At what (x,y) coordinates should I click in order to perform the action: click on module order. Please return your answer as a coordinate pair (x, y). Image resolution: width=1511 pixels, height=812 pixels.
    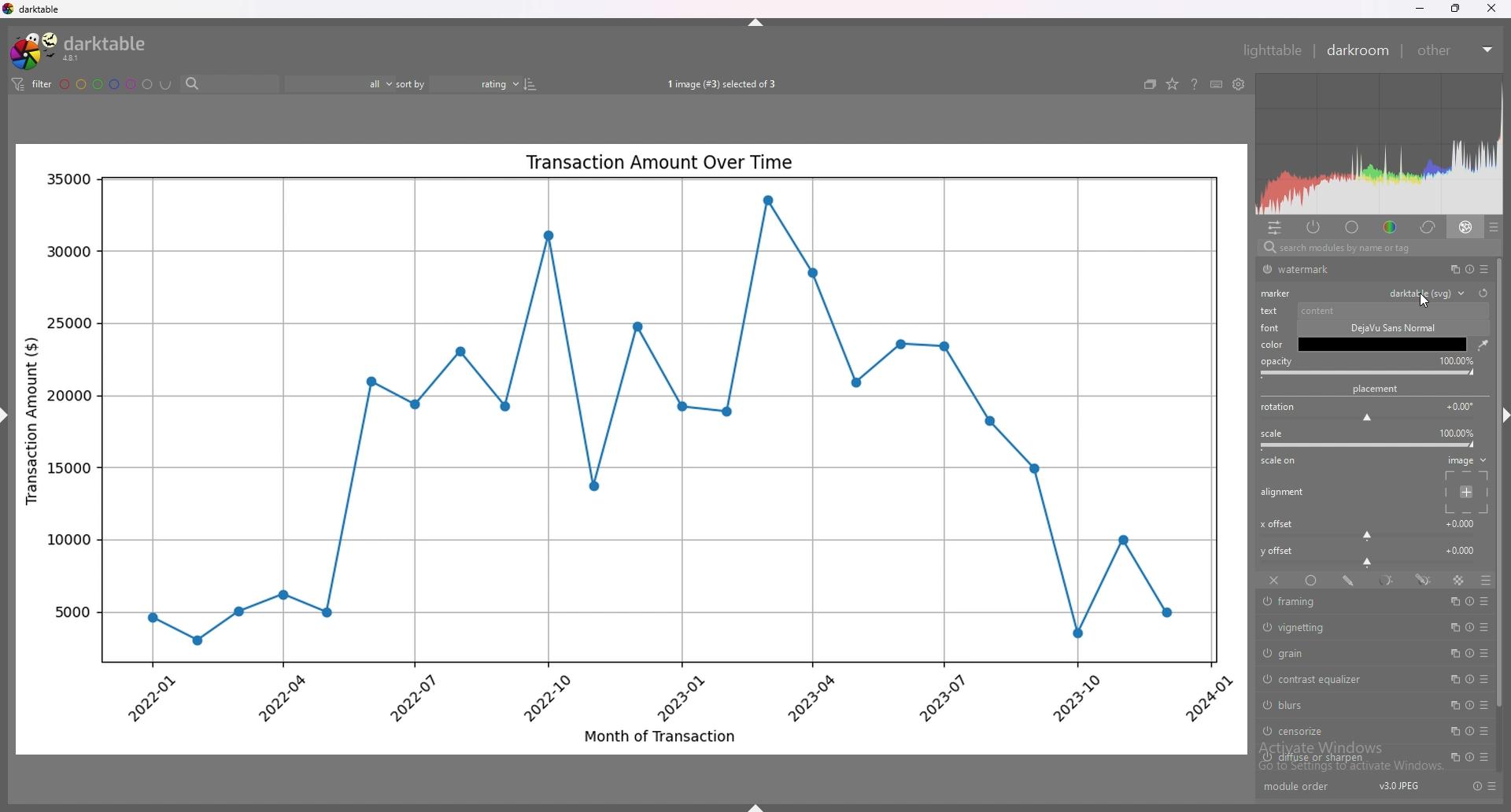
    Looking at the image, I should click on (1304, 788).